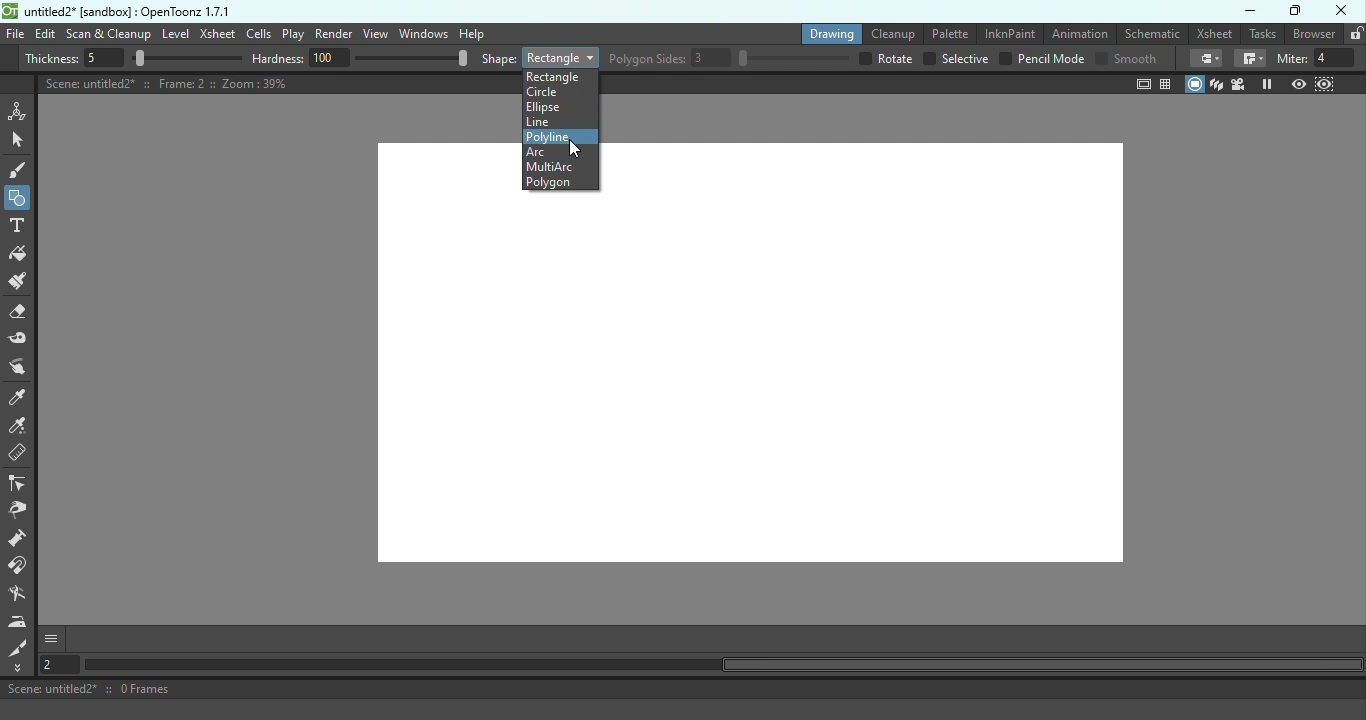 The image size is (1366, 720). Describe the element at coordinates (946, 34) in the screenshot. I see `Palette` at that location.